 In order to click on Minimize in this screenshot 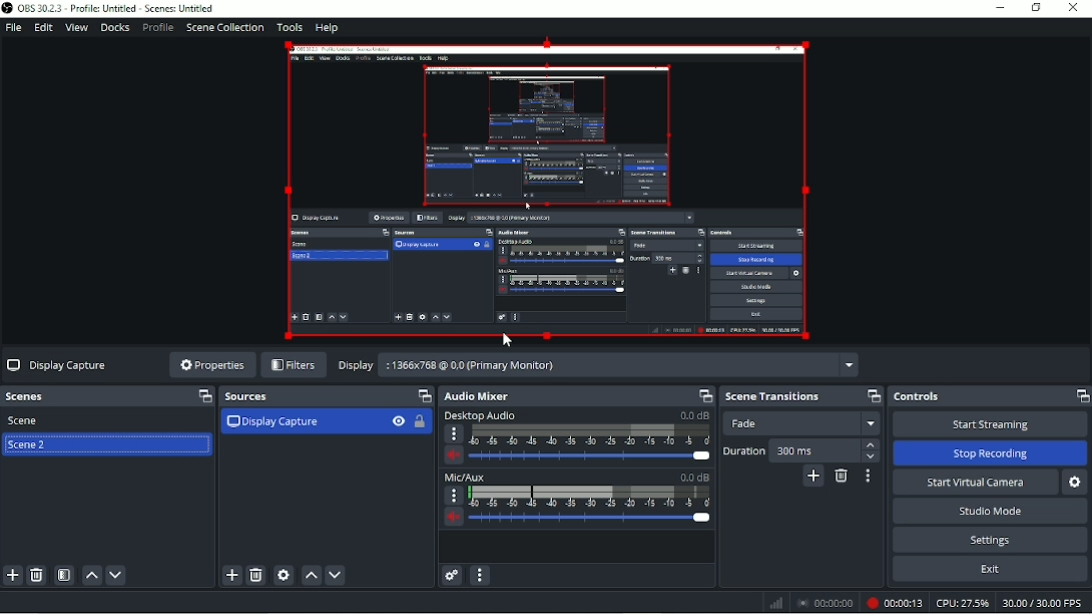, I will do `click(1000, 7)`.